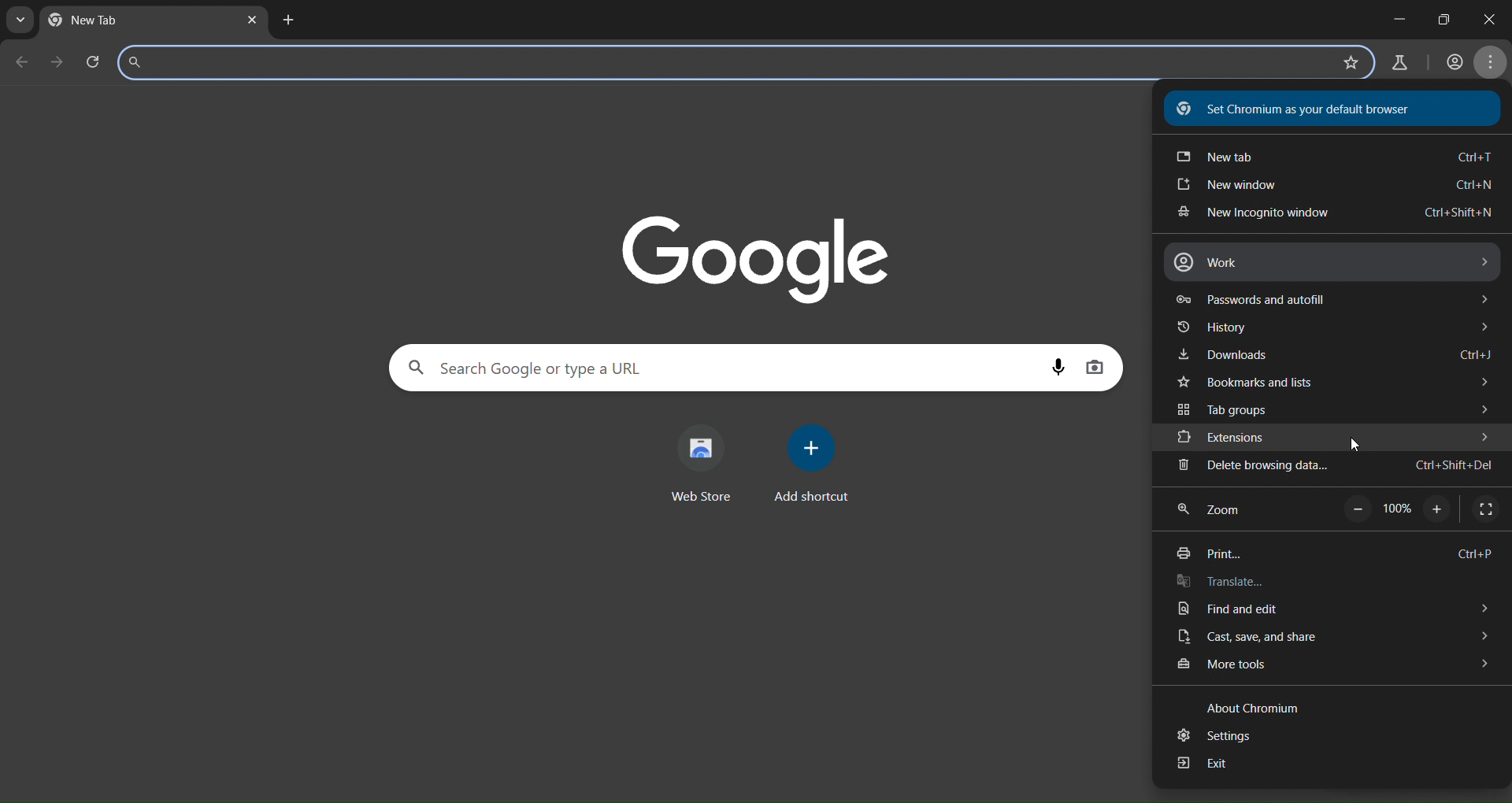 The height and width of the screenshot is (803, 1512). What do you see at coordinates (1399, 62) in the screenshot?
I see `search labs` at bounding box center [1399, 62].